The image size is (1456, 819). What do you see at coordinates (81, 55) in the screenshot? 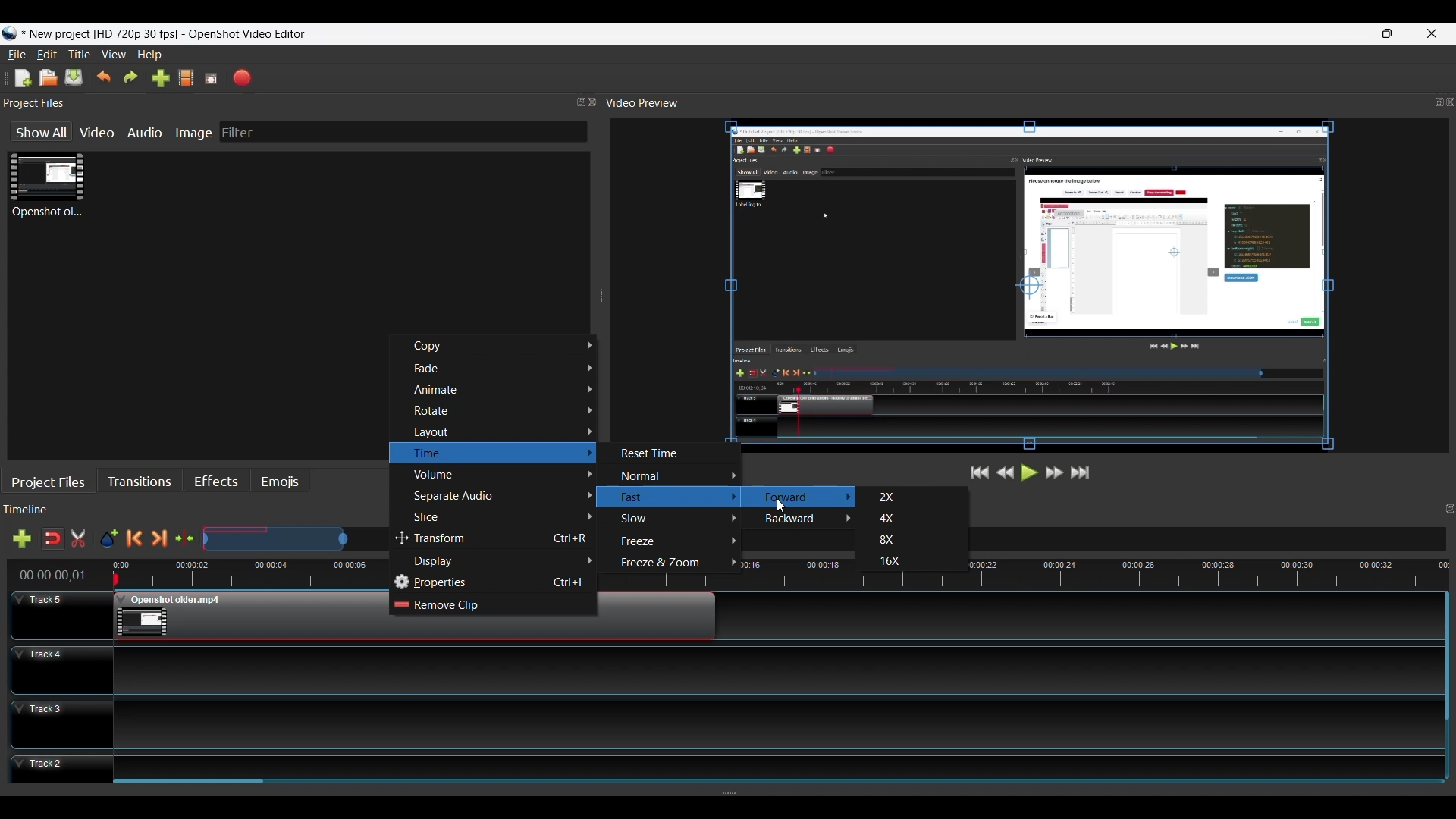
I see `Title` at bounding box center [81, 55].